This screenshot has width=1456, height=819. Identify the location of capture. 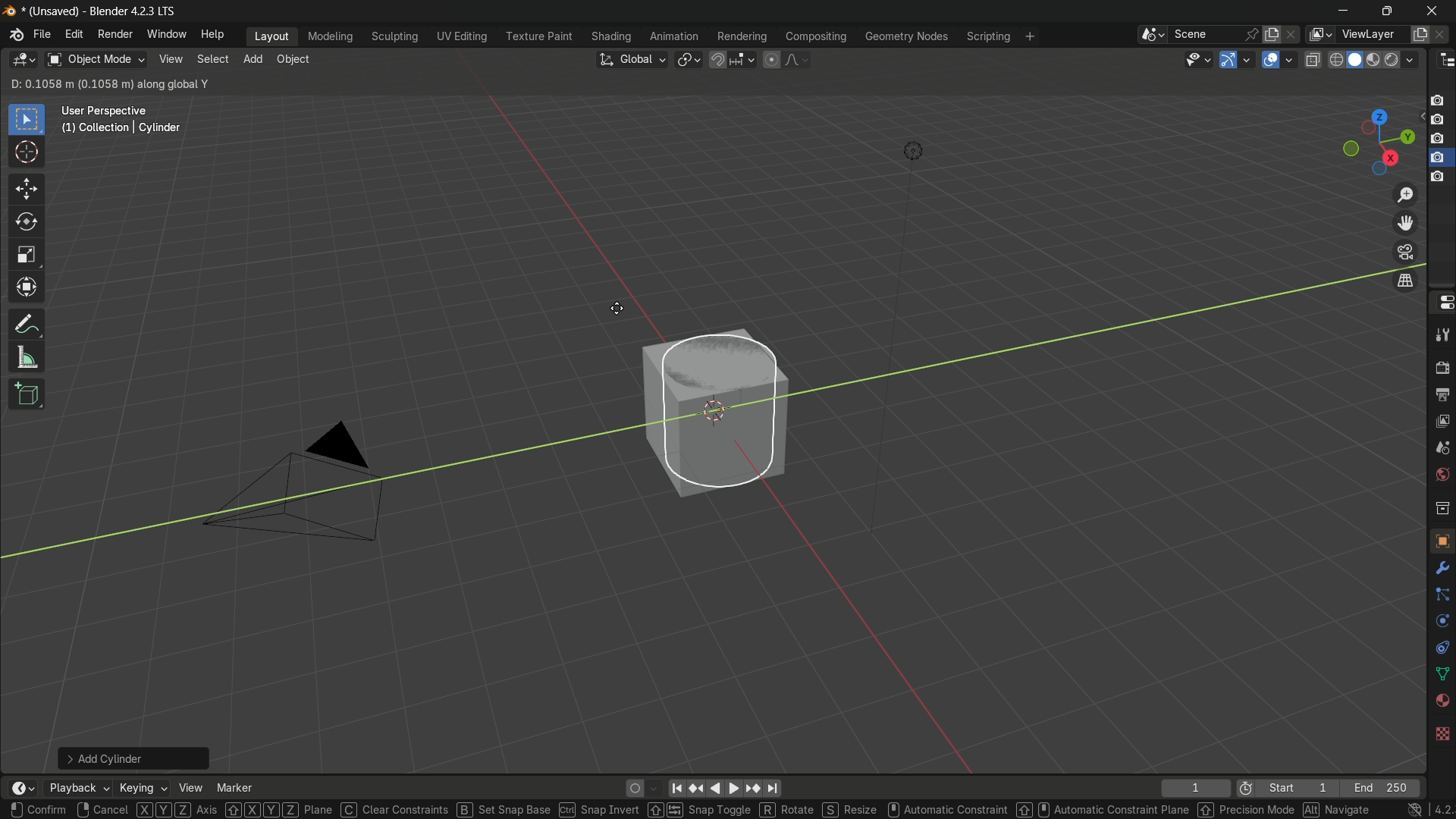
(1436, 158).